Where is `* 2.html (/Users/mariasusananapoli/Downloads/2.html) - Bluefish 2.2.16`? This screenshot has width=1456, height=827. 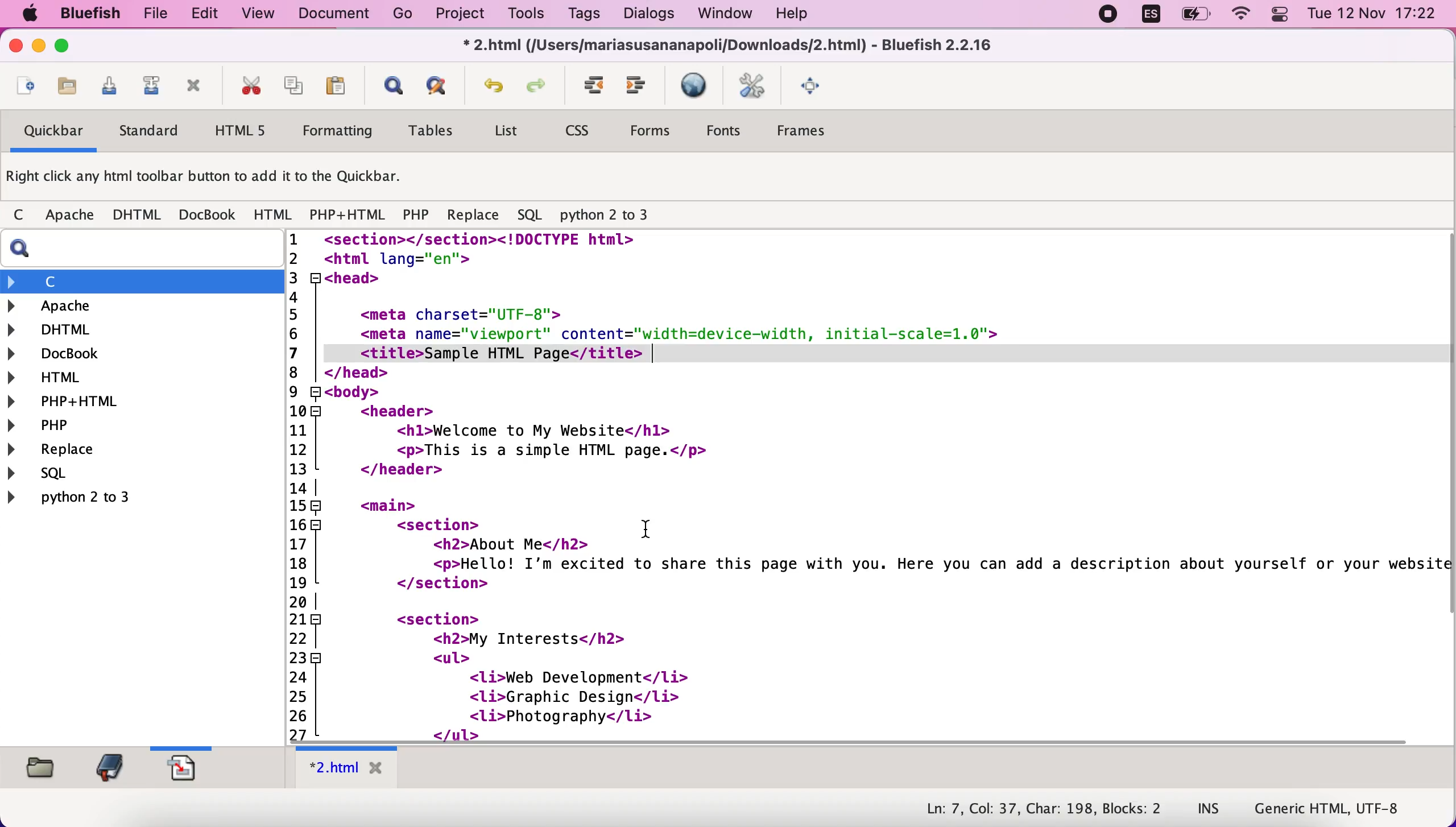 * 2.html (/Users/mariasusananapoli/Downloads/2.html) - Bluefish 2.2.16 is located at coordinates (731, 47).